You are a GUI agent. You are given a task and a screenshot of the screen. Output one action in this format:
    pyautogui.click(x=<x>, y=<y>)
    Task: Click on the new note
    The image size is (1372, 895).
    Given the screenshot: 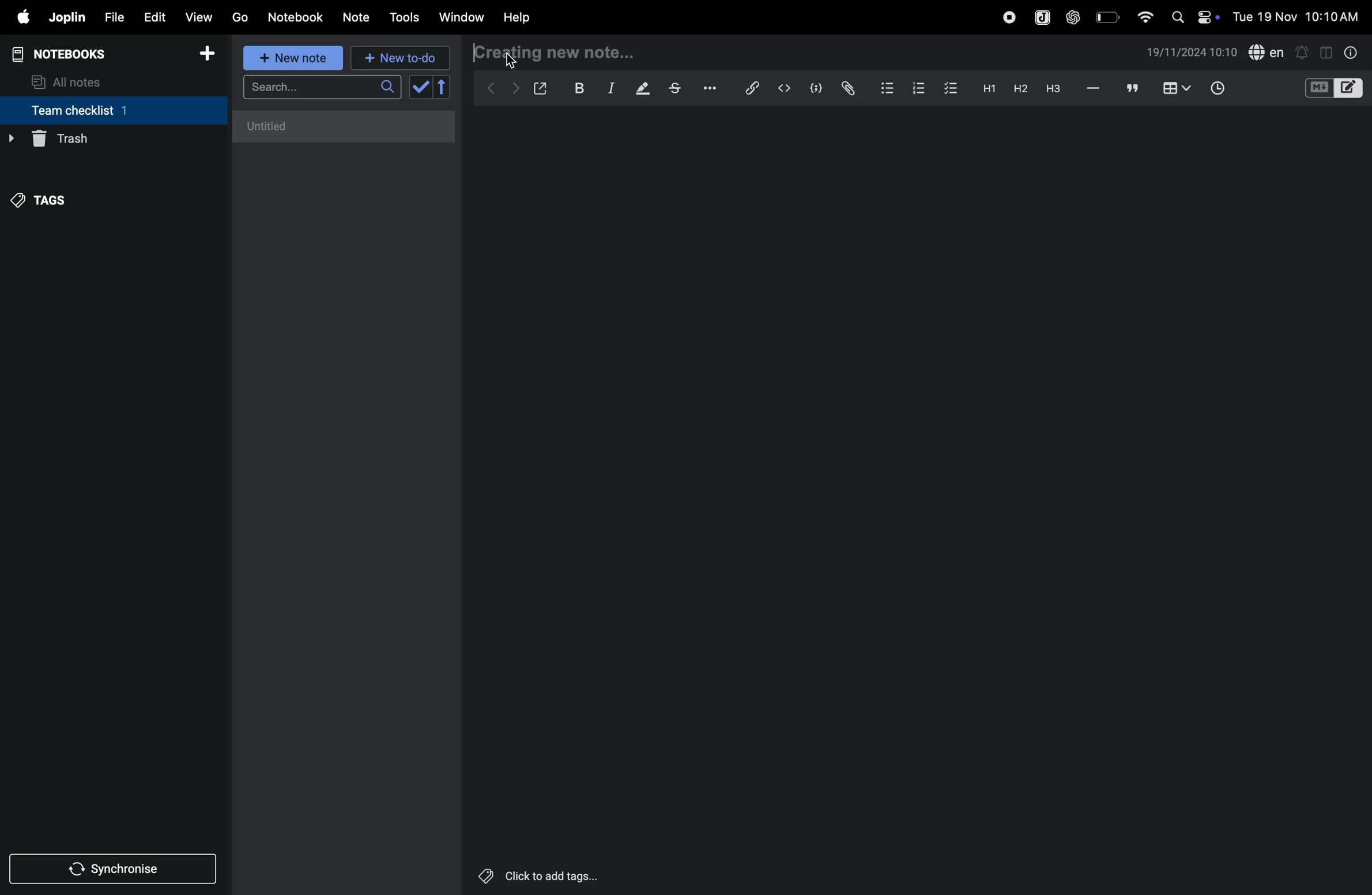 What is the action you would take?
    pyautogui.click(x=295, y=59)
    